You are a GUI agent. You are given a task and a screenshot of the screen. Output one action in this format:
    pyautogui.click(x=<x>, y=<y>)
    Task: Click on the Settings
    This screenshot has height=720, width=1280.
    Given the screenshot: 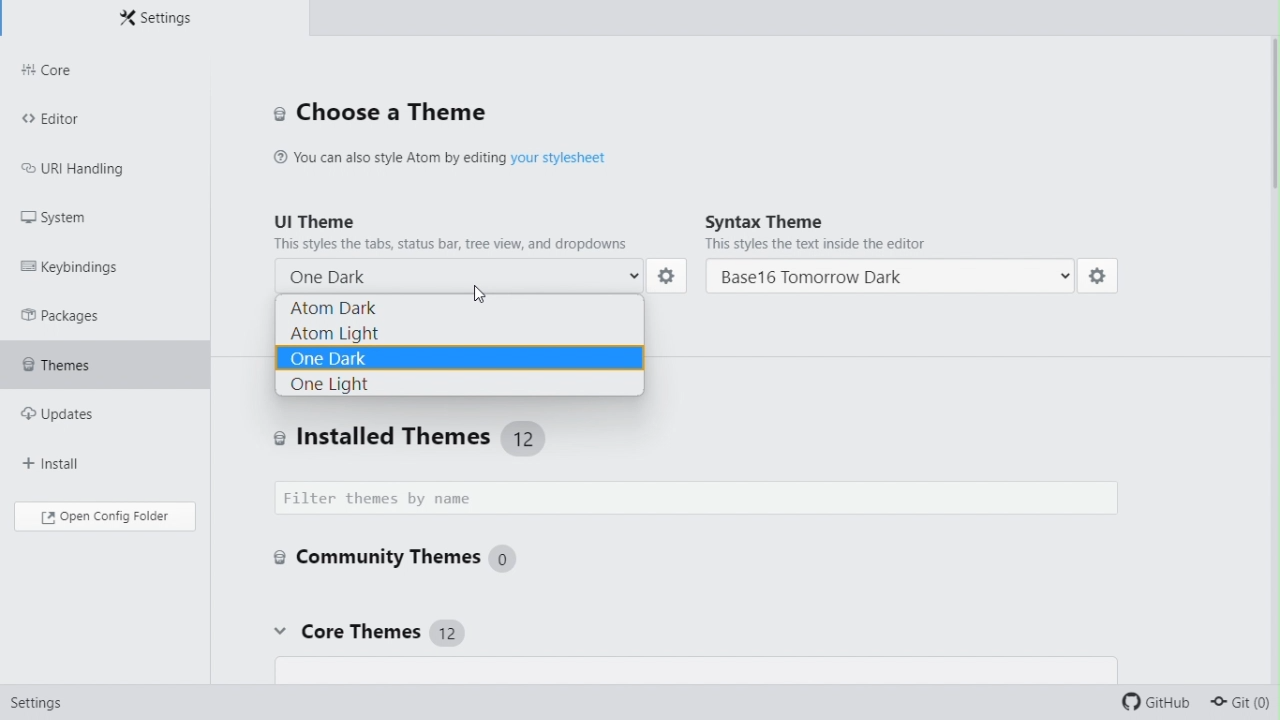 What is the action you would take?
    pyautogui.click(x=154, y=18)
    